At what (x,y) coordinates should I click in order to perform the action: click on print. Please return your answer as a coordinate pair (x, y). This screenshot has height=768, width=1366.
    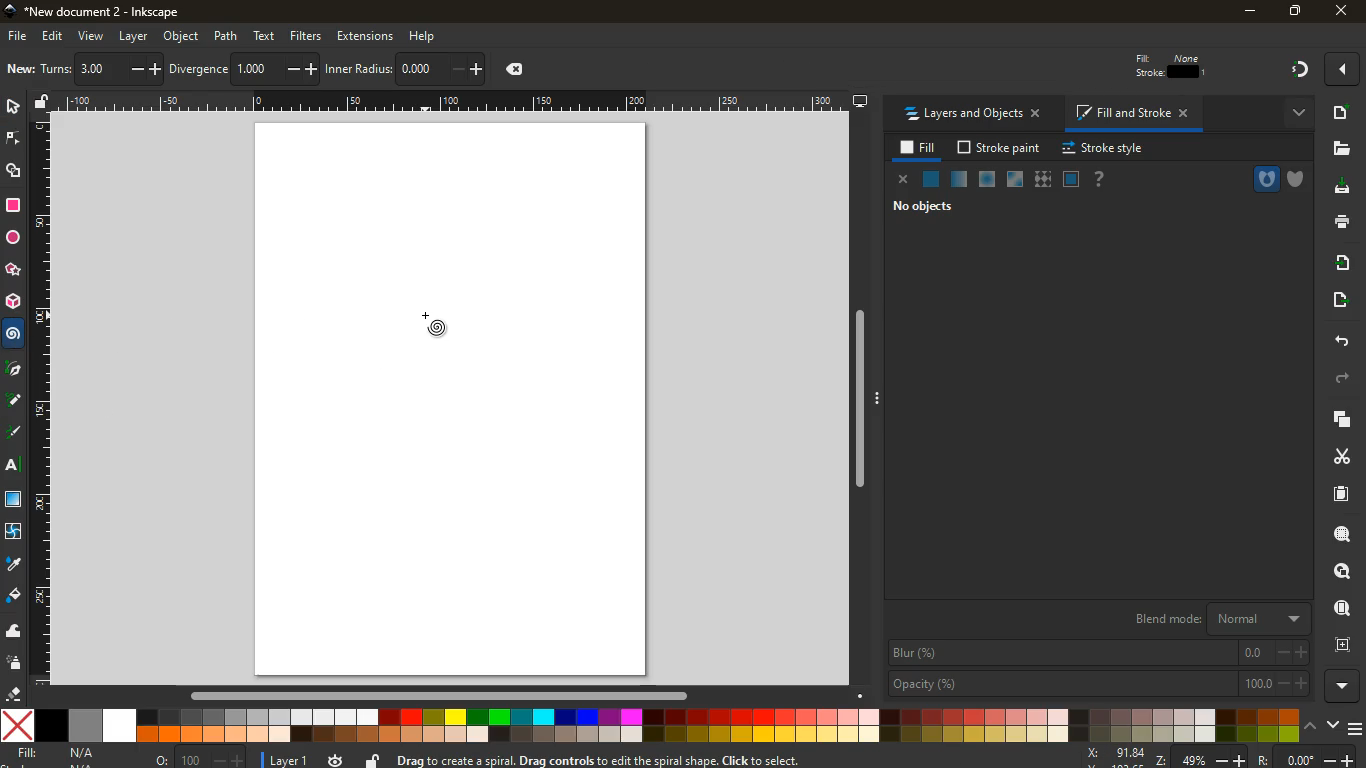
    Looking at the image, I should click on (1340, 223).